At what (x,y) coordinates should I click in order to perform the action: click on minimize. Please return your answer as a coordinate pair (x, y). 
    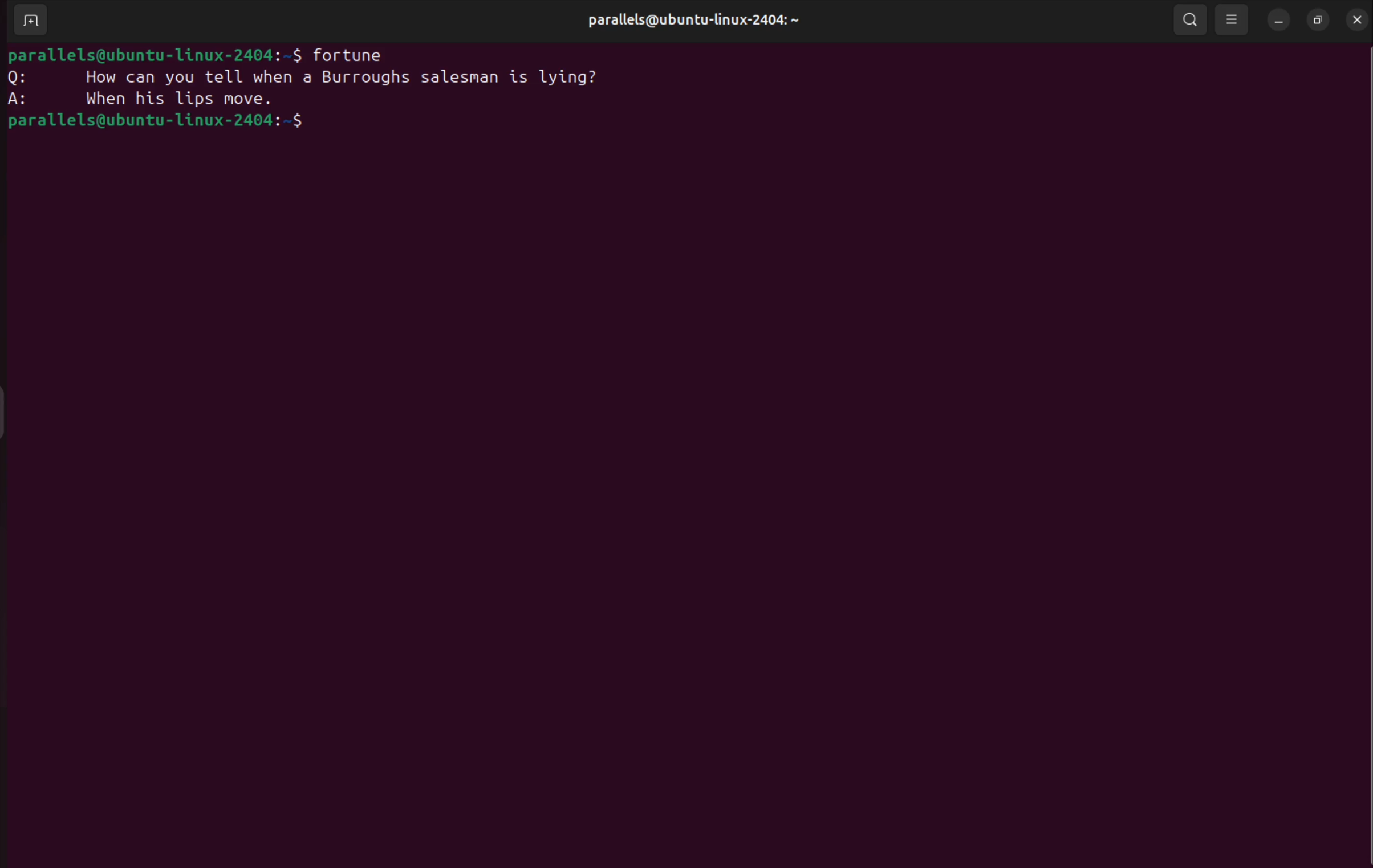
    Looking at the image, I should click on (1276, 22).